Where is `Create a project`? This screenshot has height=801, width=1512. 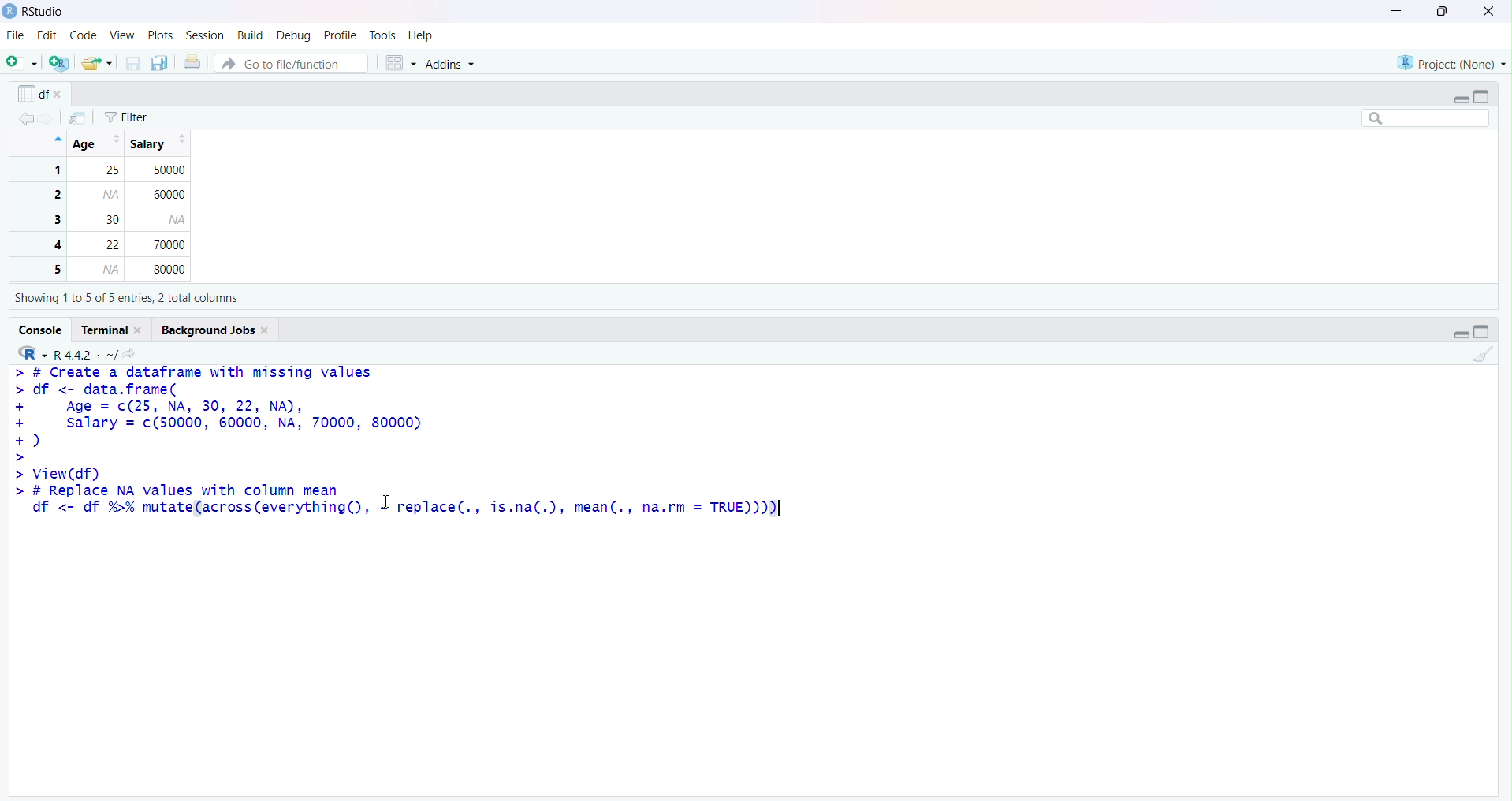
Create a project is located at coordinates (60, 61).